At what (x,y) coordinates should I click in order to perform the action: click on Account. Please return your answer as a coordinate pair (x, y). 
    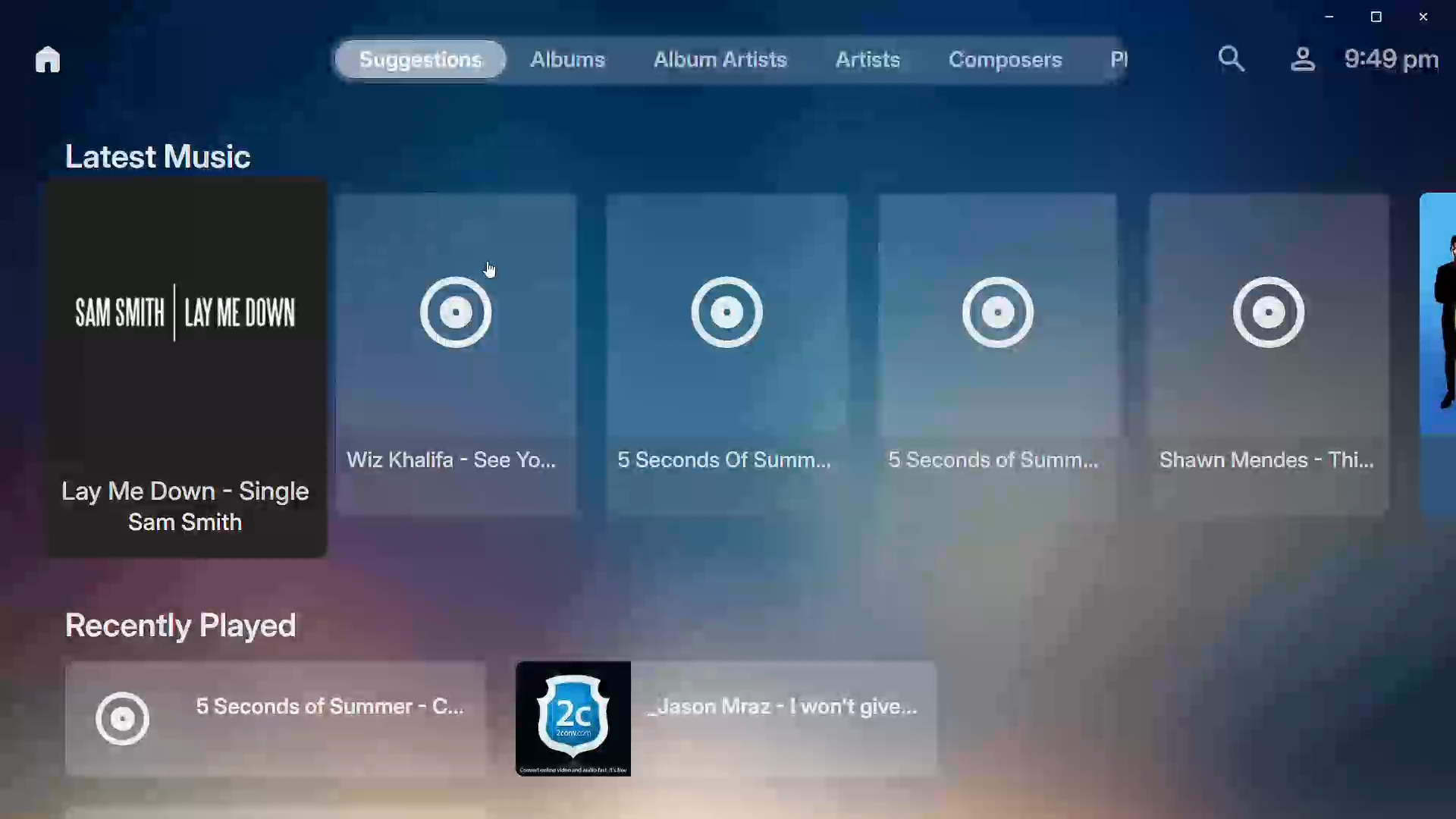
    Looking at the image, I should click on (1293, 56).